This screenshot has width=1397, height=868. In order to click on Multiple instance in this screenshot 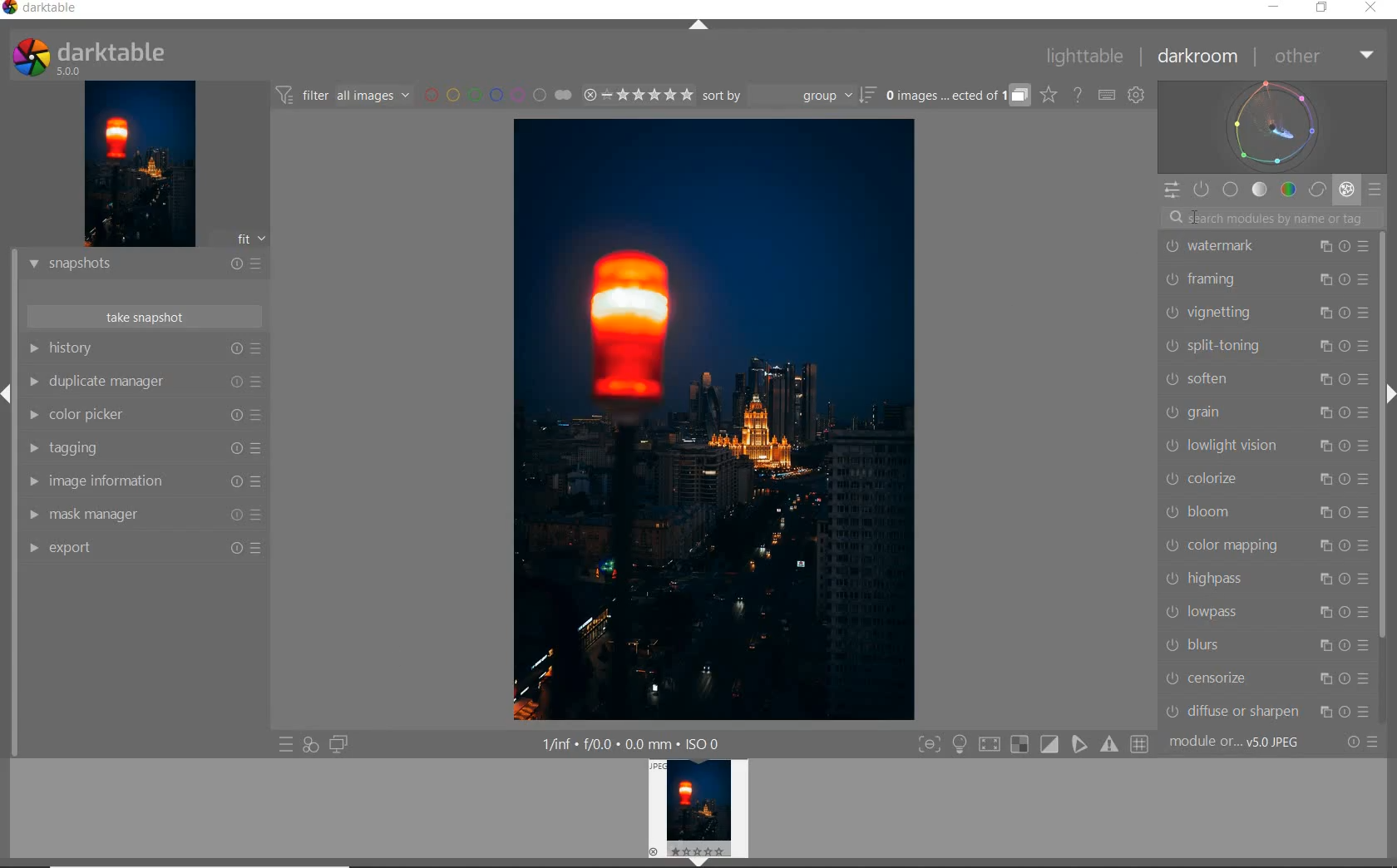, I will do `click(1318, 578)`.